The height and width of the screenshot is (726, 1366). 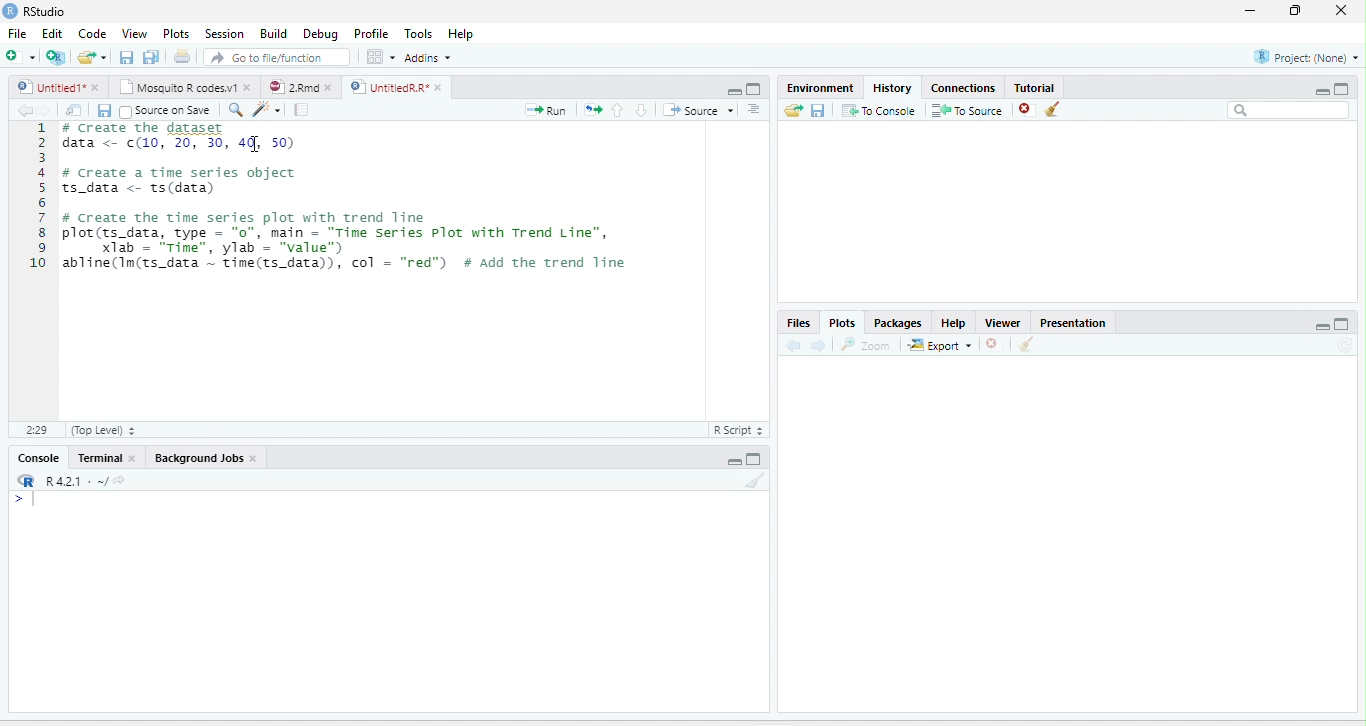 What do you see at coordinates (1036, 87) in the screenshot?
I see `Tutorial` at bounding box center [1036, 87].